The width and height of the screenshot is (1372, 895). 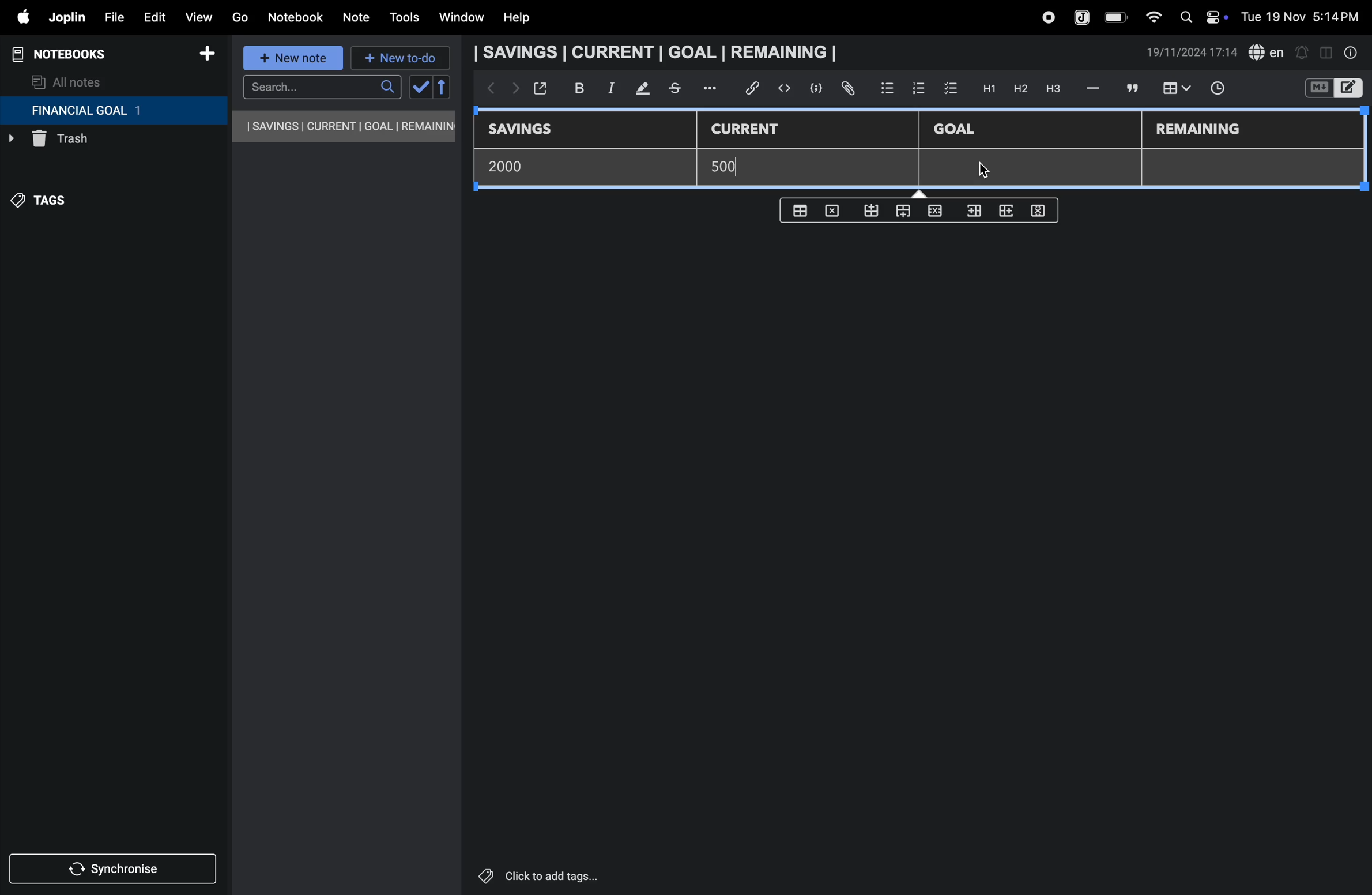 What do you see at coordinates (401, 59) in the screenshot?
I see `new to-do` at bounding box center [401, 59].